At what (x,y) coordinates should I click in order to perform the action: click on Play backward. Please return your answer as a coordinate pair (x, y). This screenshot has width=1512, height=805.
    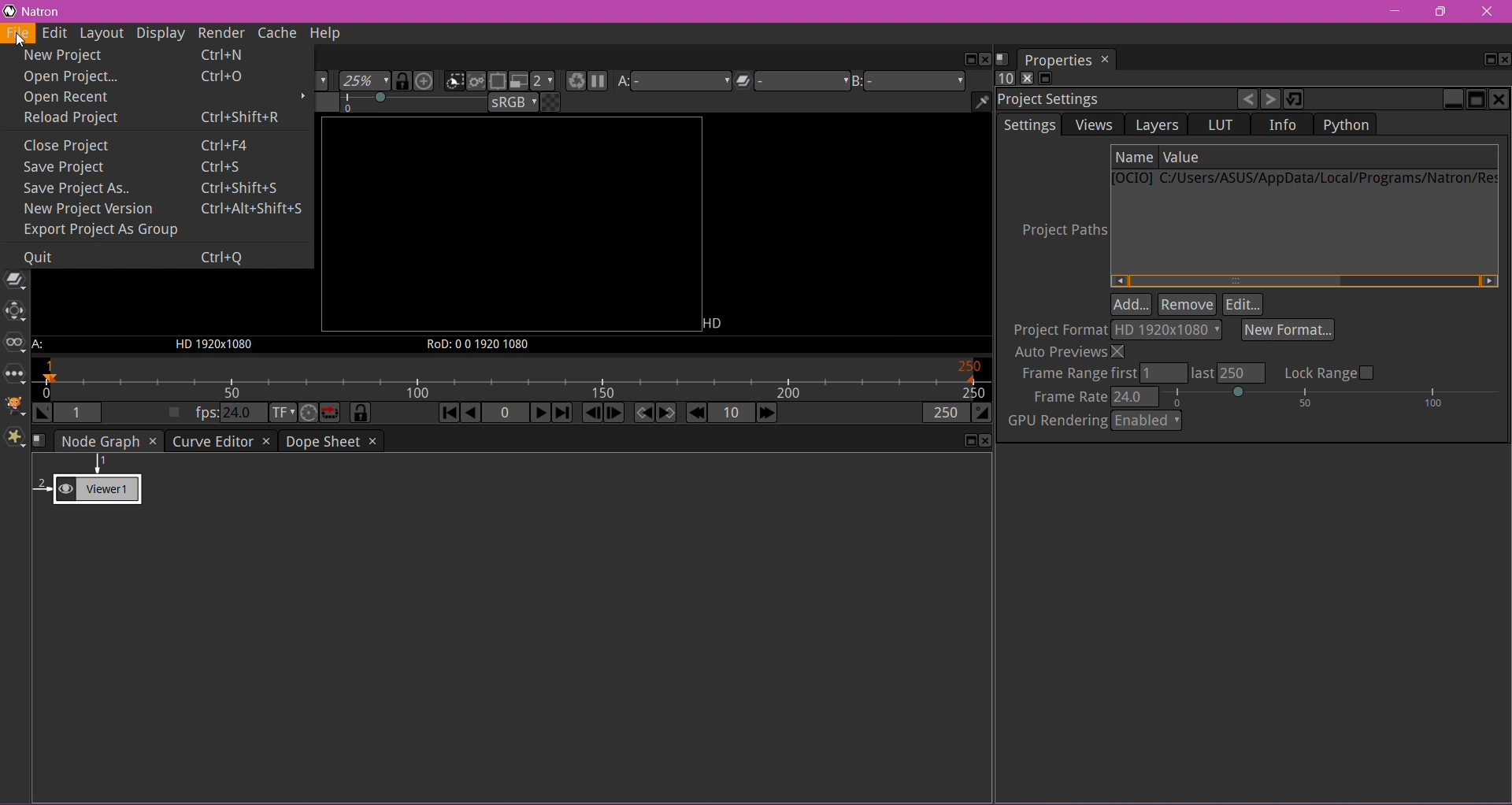
    Looking at the image, I should click on (472, 414).